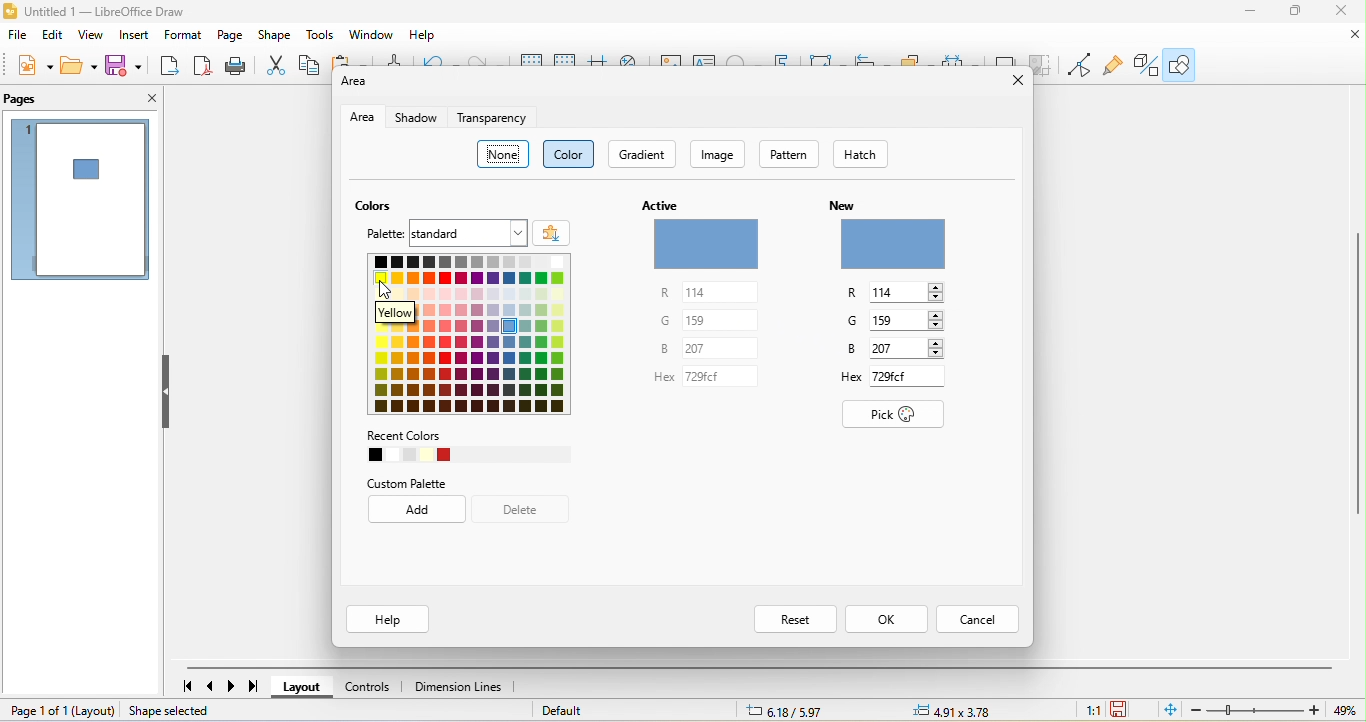  What do you see at coordinates (127, 65) in the screenshot?
I see `save` at bounding box center [127, 65].